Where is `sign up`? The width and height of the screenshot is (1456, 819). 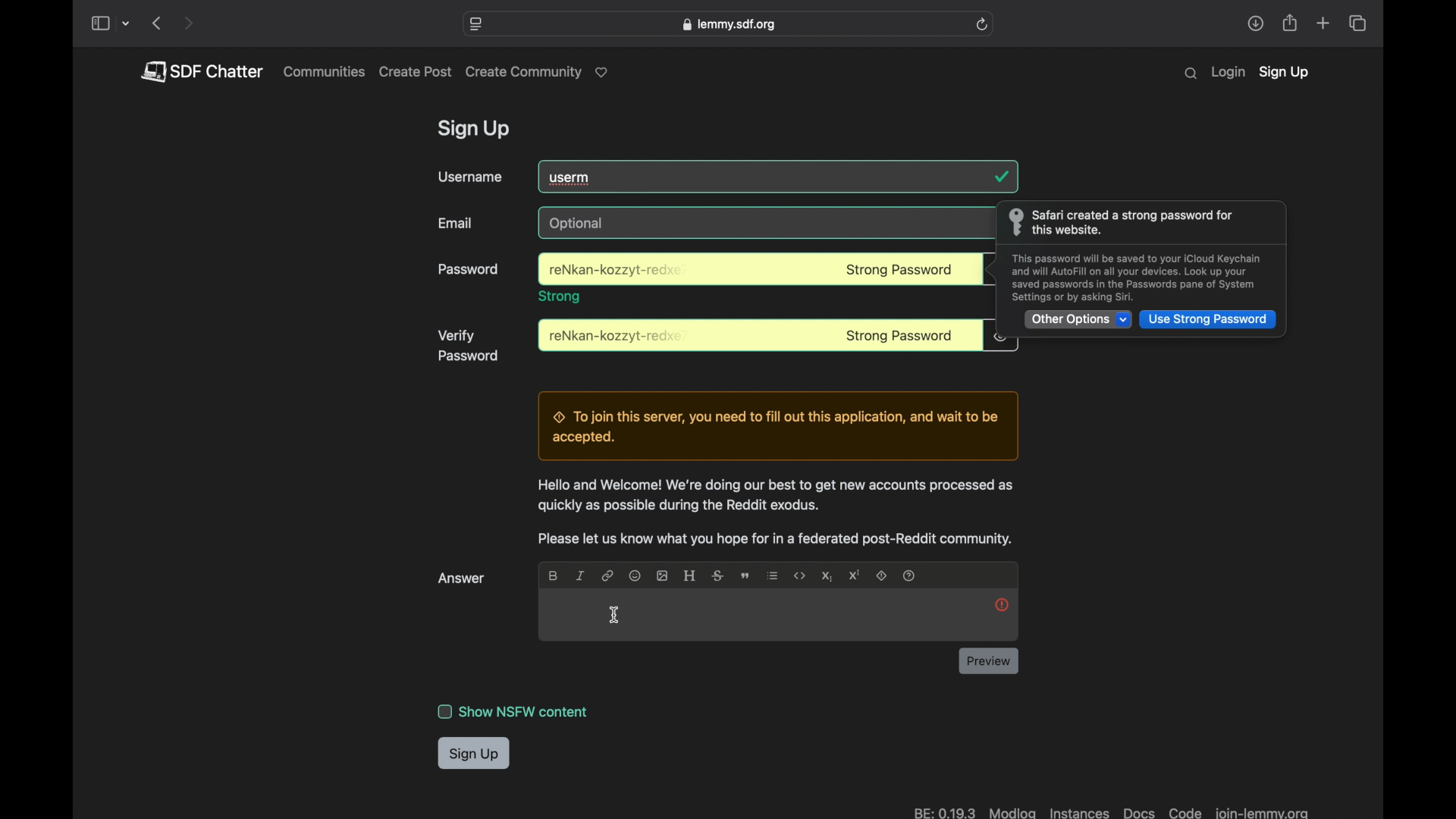
sign up is located at coordinates (474, 755).